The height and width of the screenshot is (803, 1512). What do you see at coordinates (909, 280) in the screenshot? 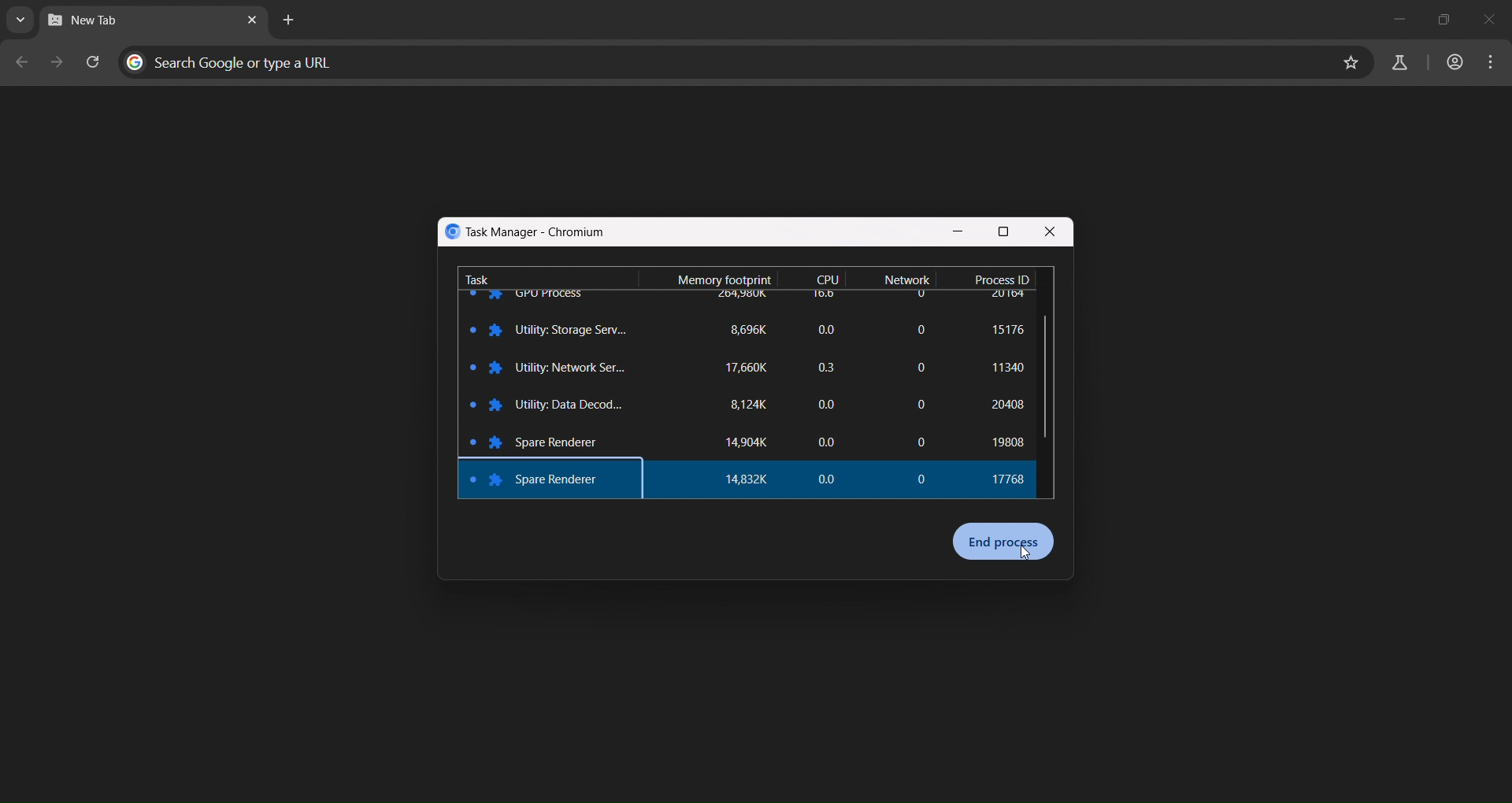
I see `Network` at bounding box center [909, 280].